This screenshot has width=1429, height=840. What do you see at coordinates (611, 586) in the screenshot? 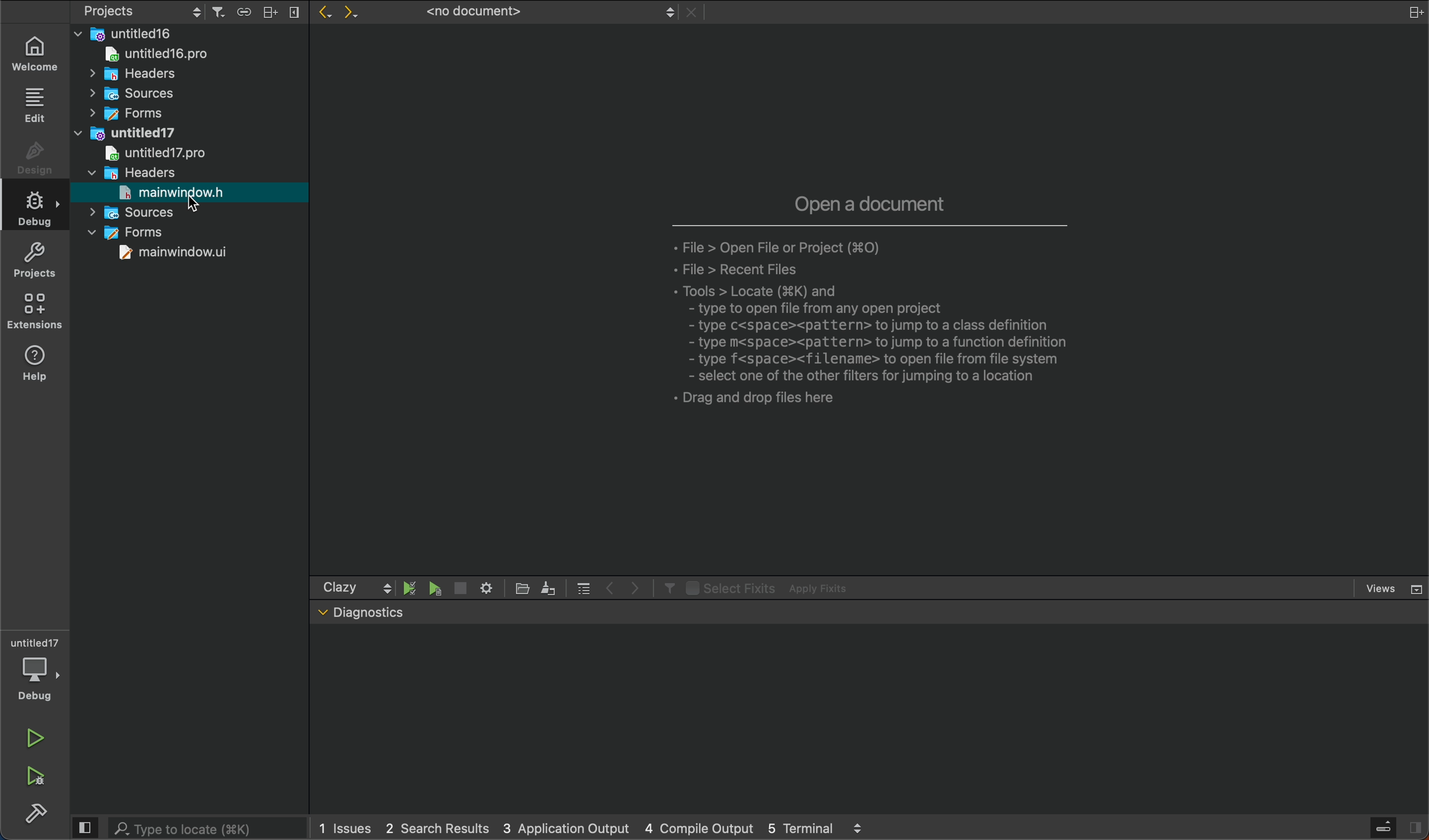
I see `Previous` at bounding box center [611, 586].